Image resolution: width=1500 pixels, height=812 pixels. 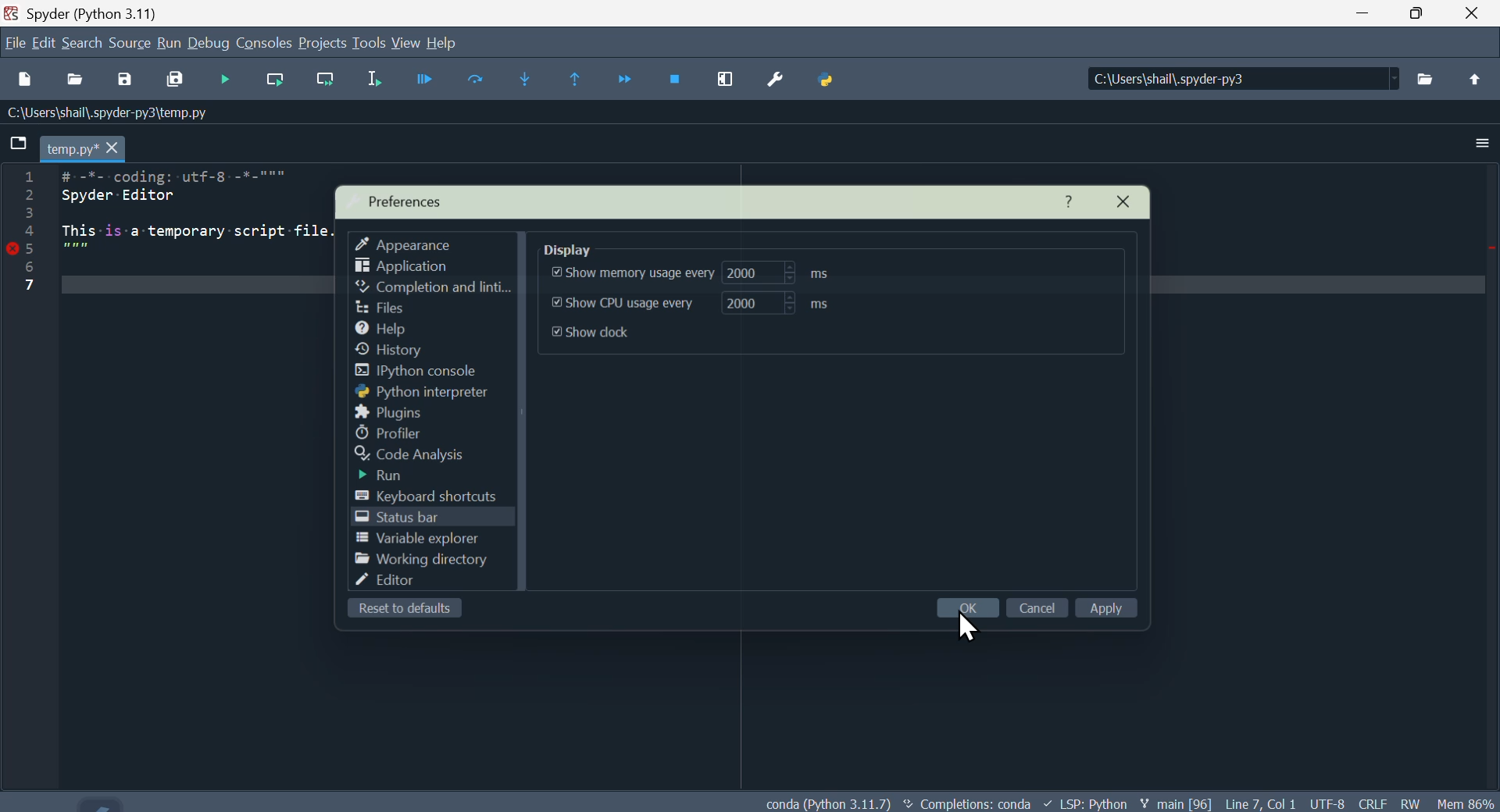 I want to click on Run File, so click(x=414, y=77).